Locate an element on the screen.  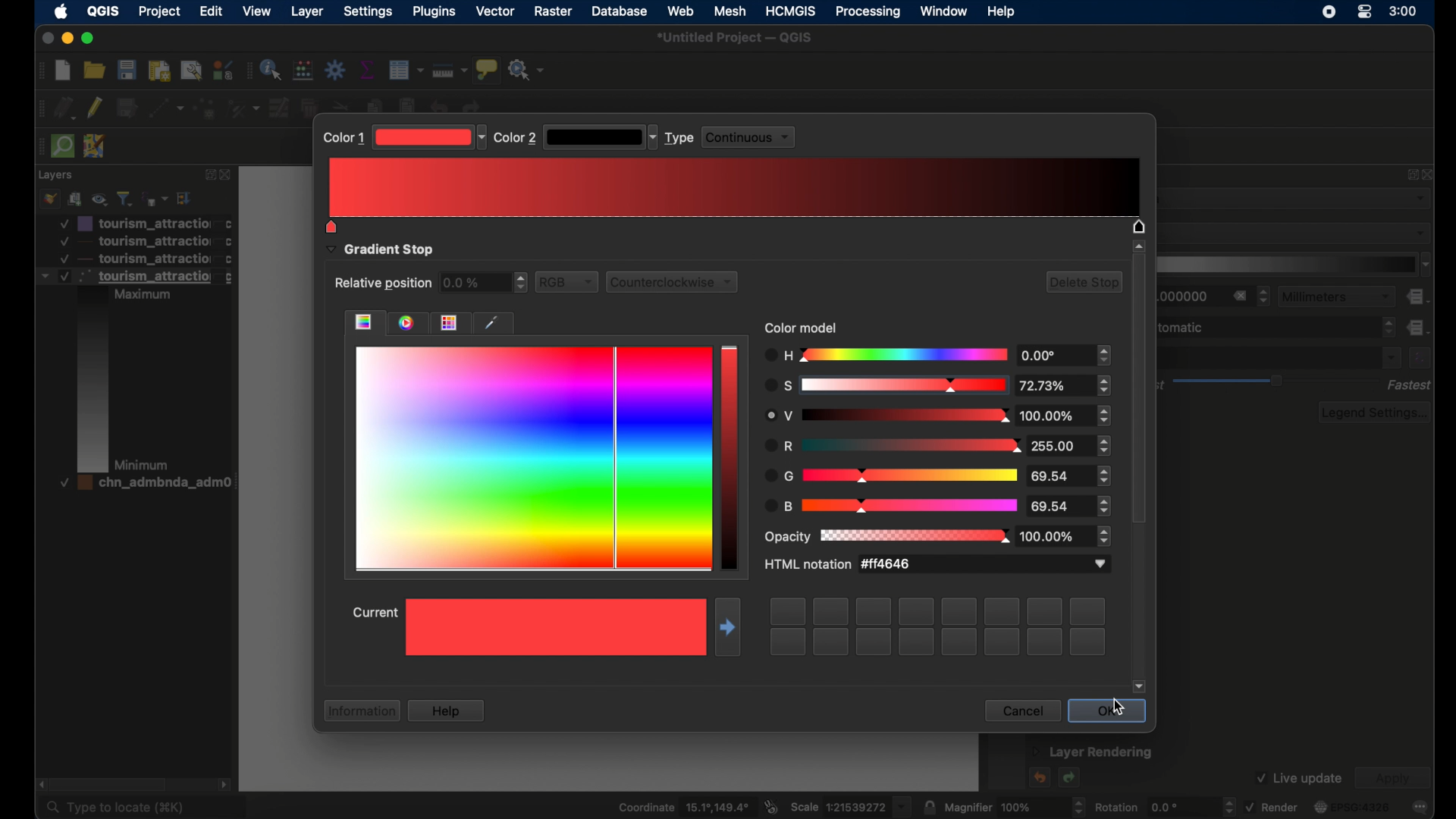
information is located at coordinates (359, 711).